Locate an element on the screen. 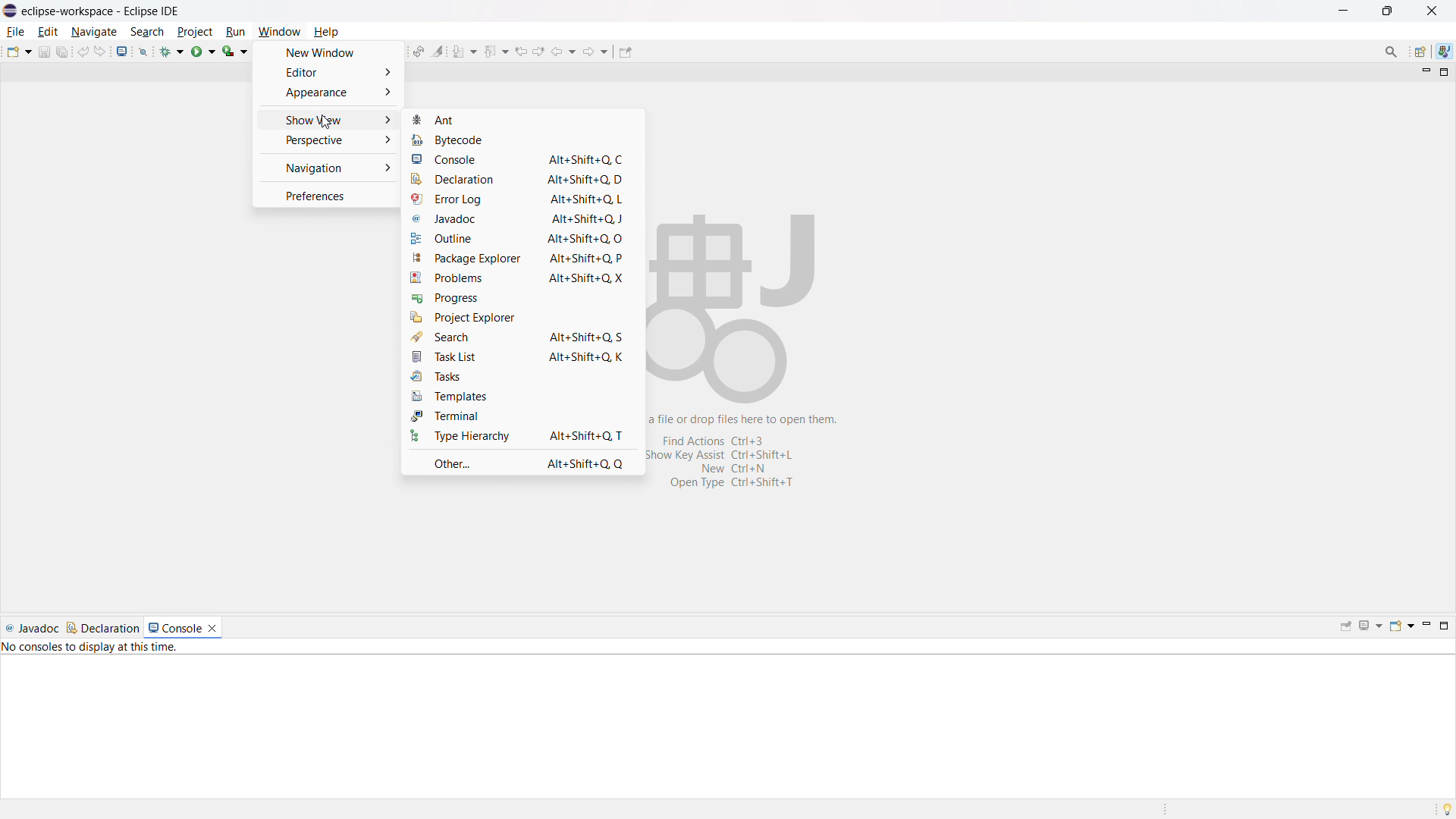 This screenshot has width=1456, height=819. display selected console  is located at coordinates (1370, 627).